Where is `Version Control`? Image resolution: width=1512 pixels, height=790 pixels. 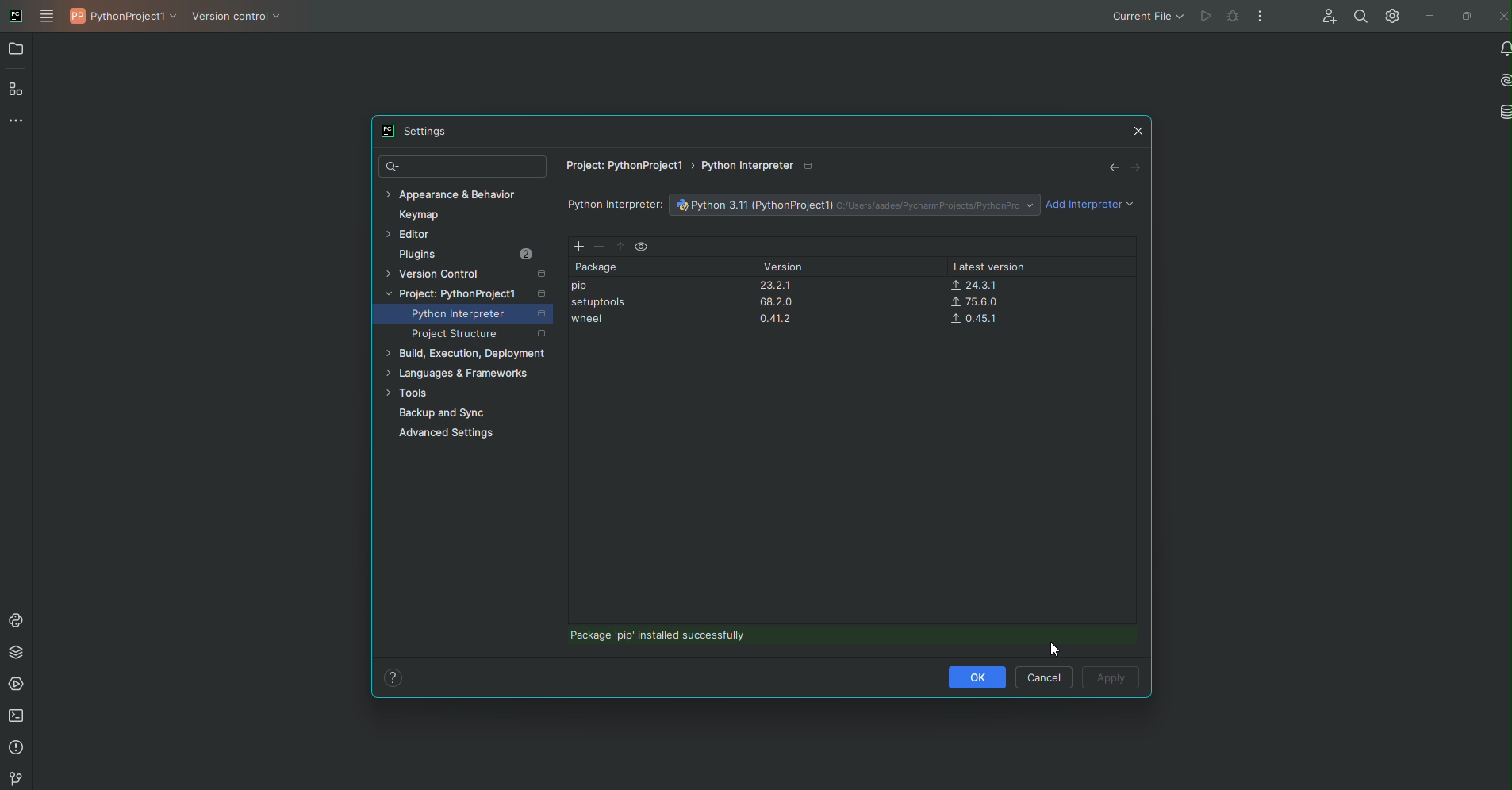
Version Control is located at coordinates (241, 21).